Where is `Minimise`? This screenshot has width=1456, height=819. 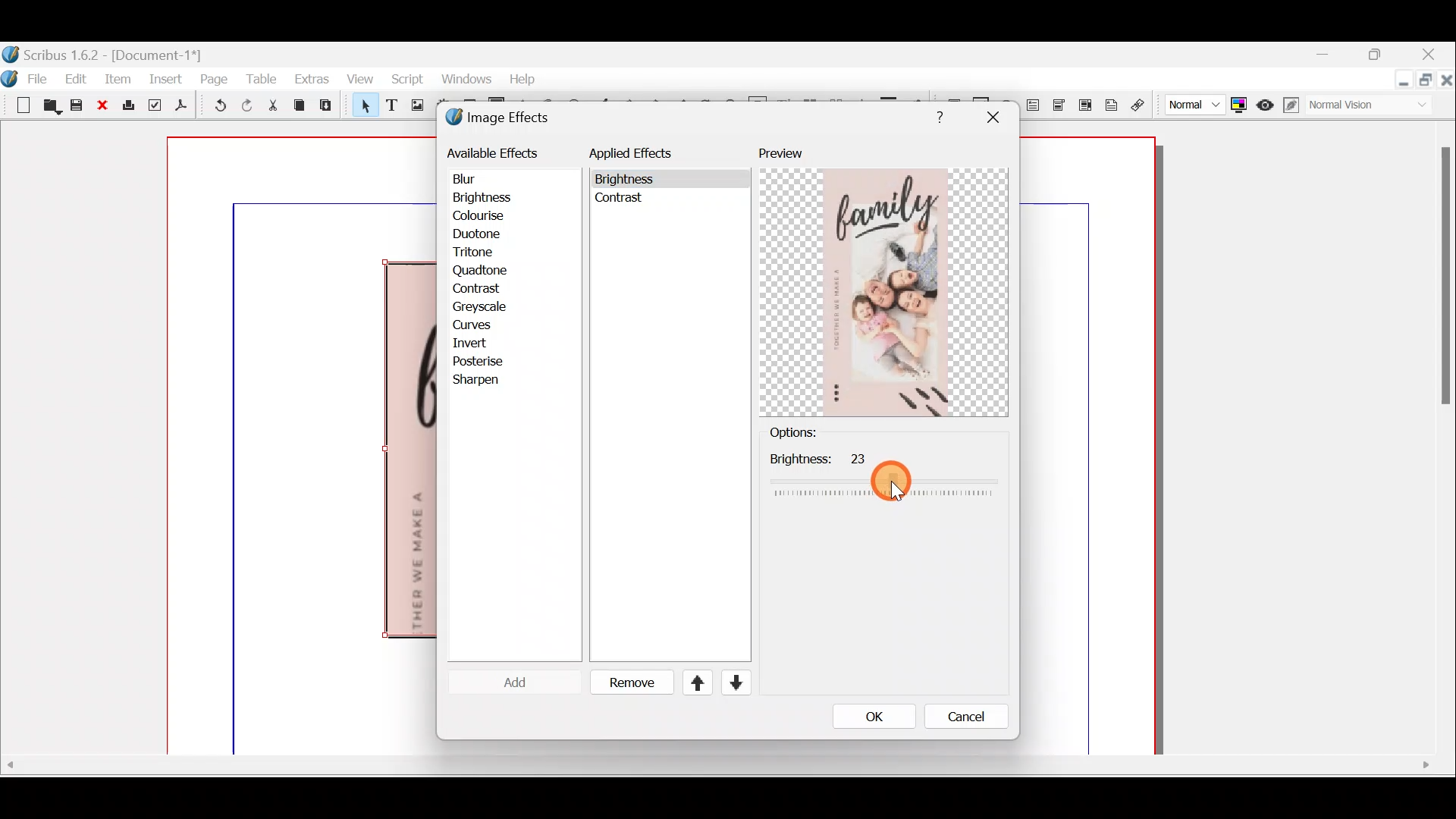 Minimise is located at coordinates (1332, 55).